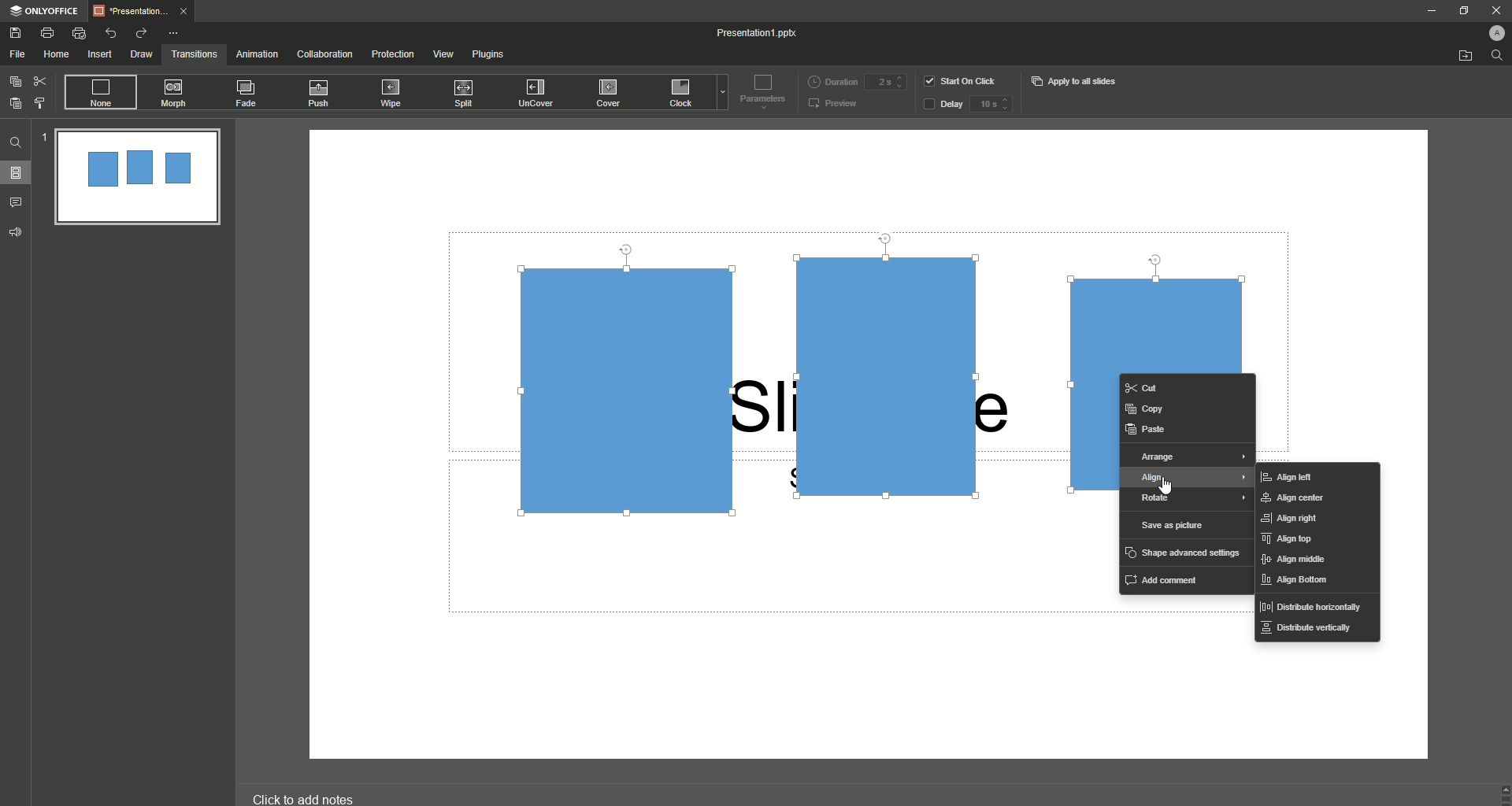 The image size is (1512, 806). I want to click on Delay button, so click(943, 105).